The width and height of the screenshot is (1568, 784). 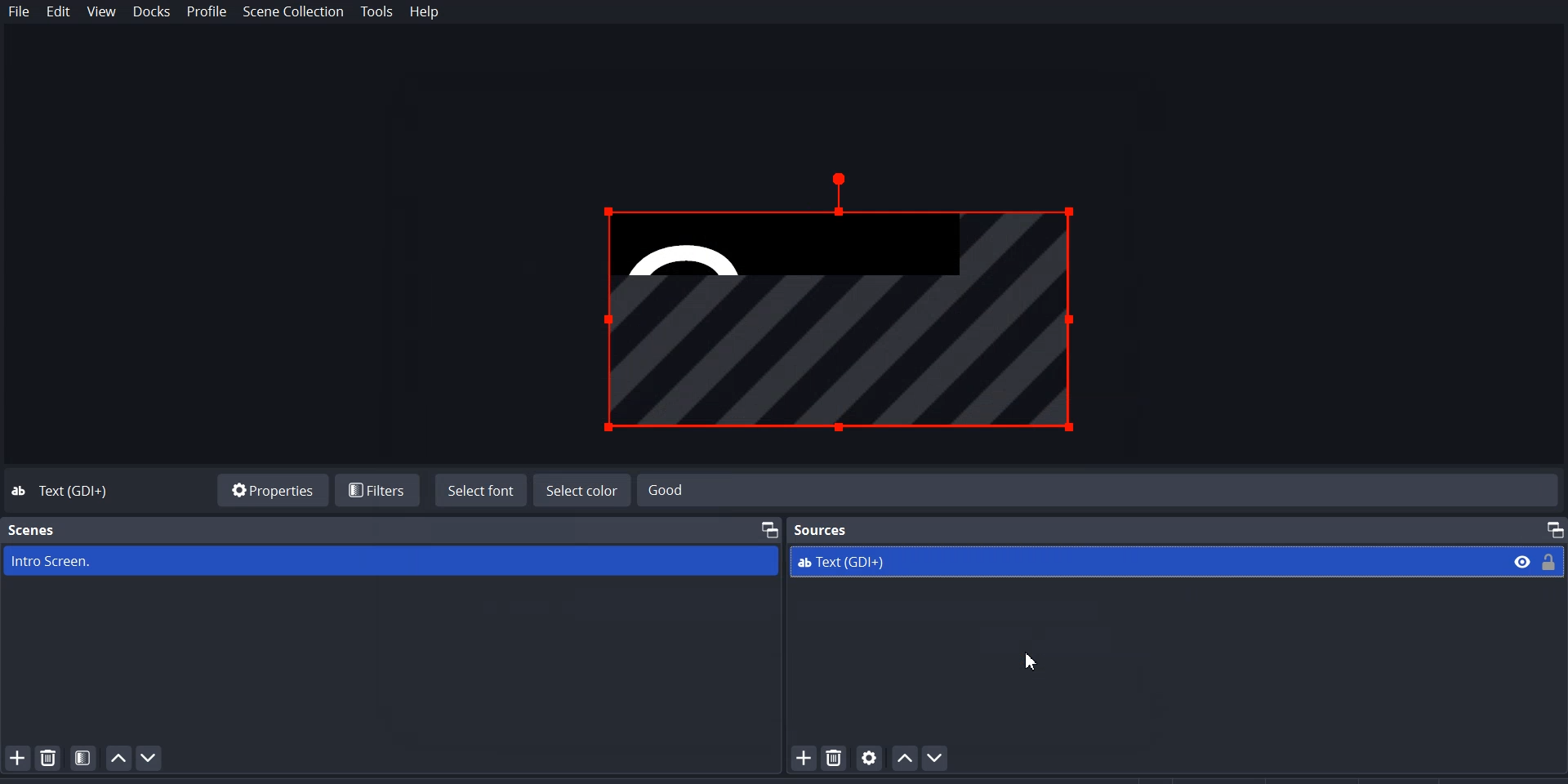 What do you see at coordinates (1141, 564) in the screenshot?
I see `Text (GDI+)` at bounding box center [1141, 564].